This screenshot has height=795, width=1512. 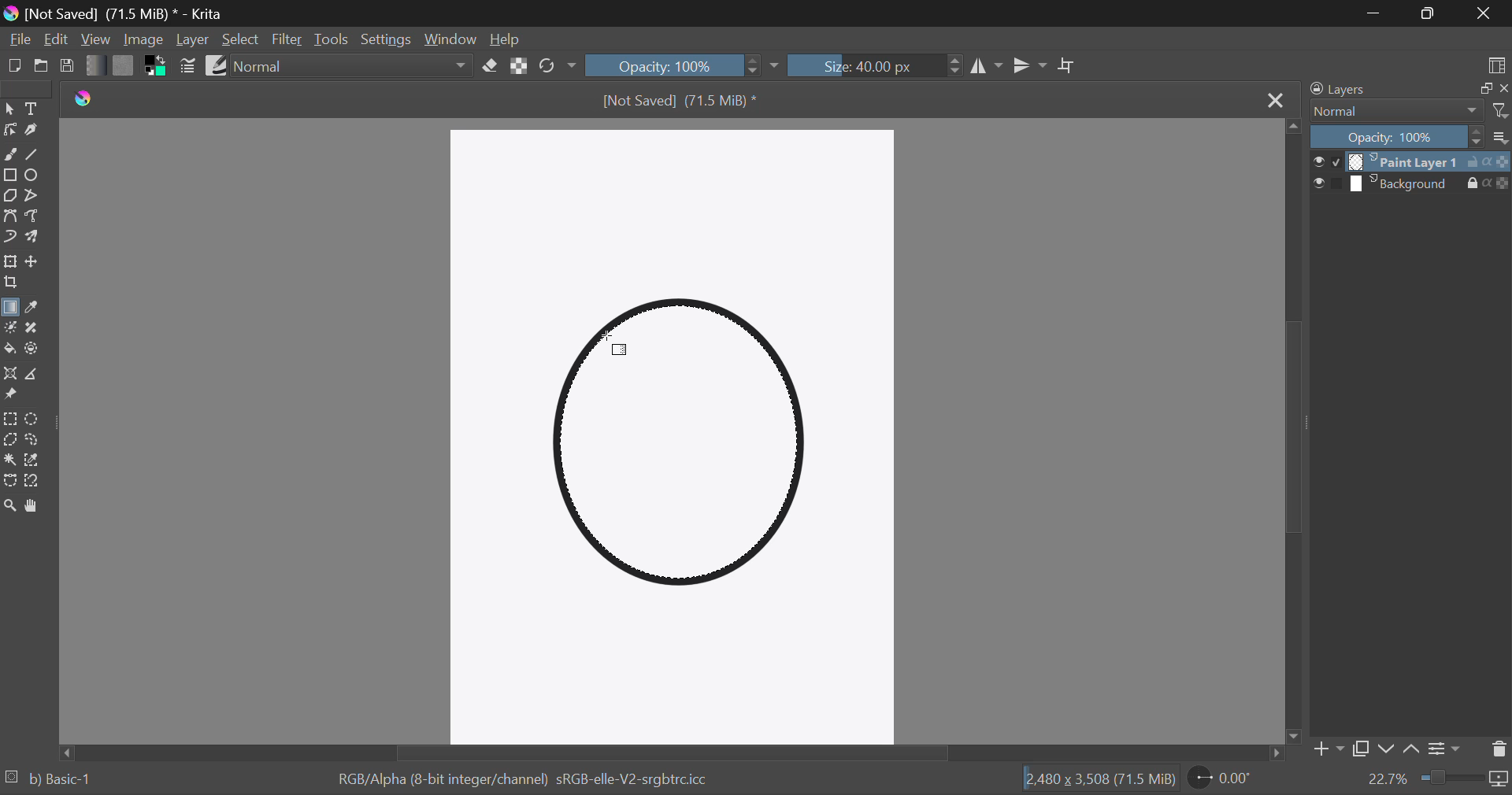 What do you see at coordinates (145, 41) in the screenshot?
I see `Image` at bounding box center [145, 41].